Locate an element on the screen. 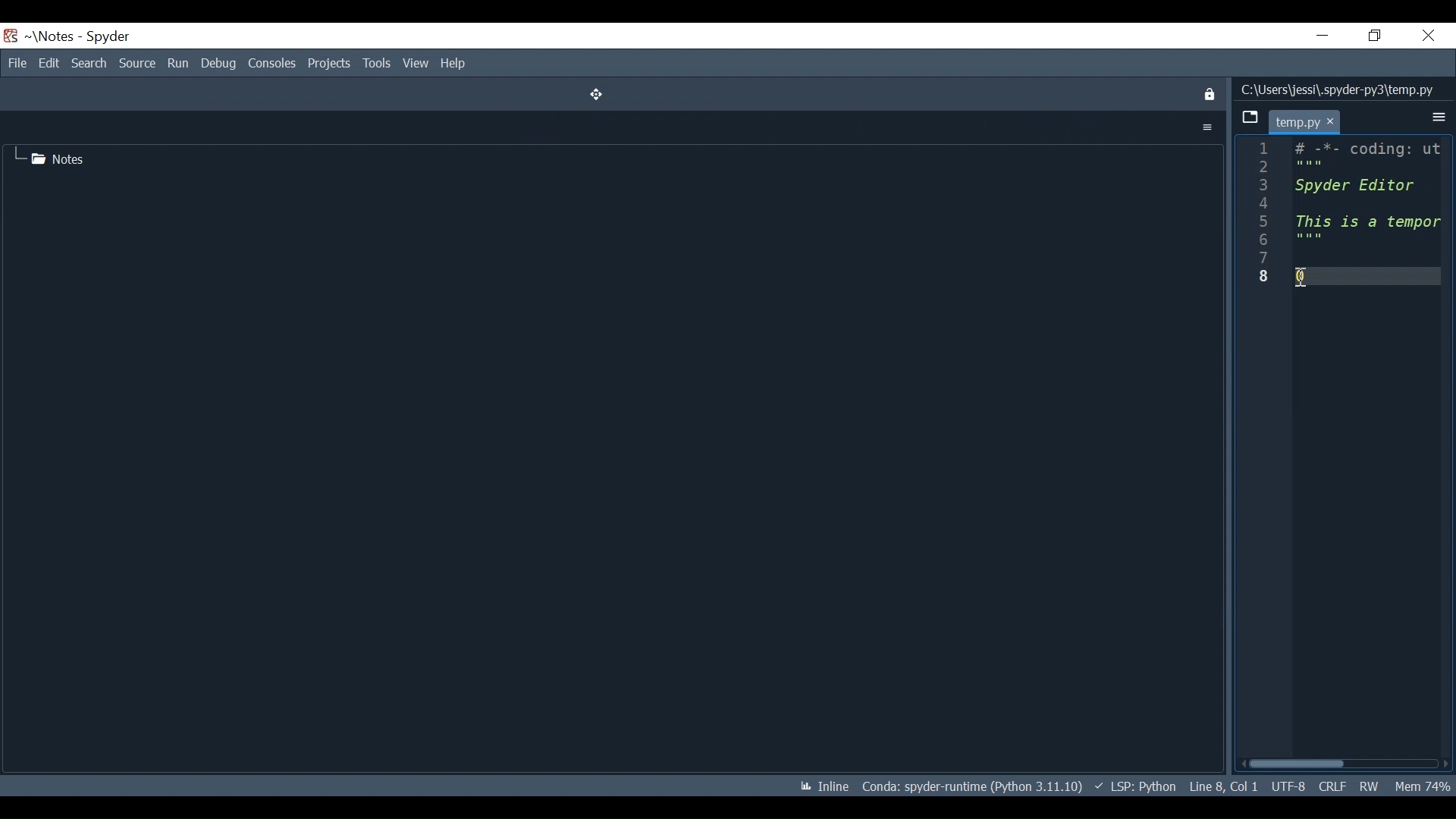  Run is located at coordinates (177, 63).